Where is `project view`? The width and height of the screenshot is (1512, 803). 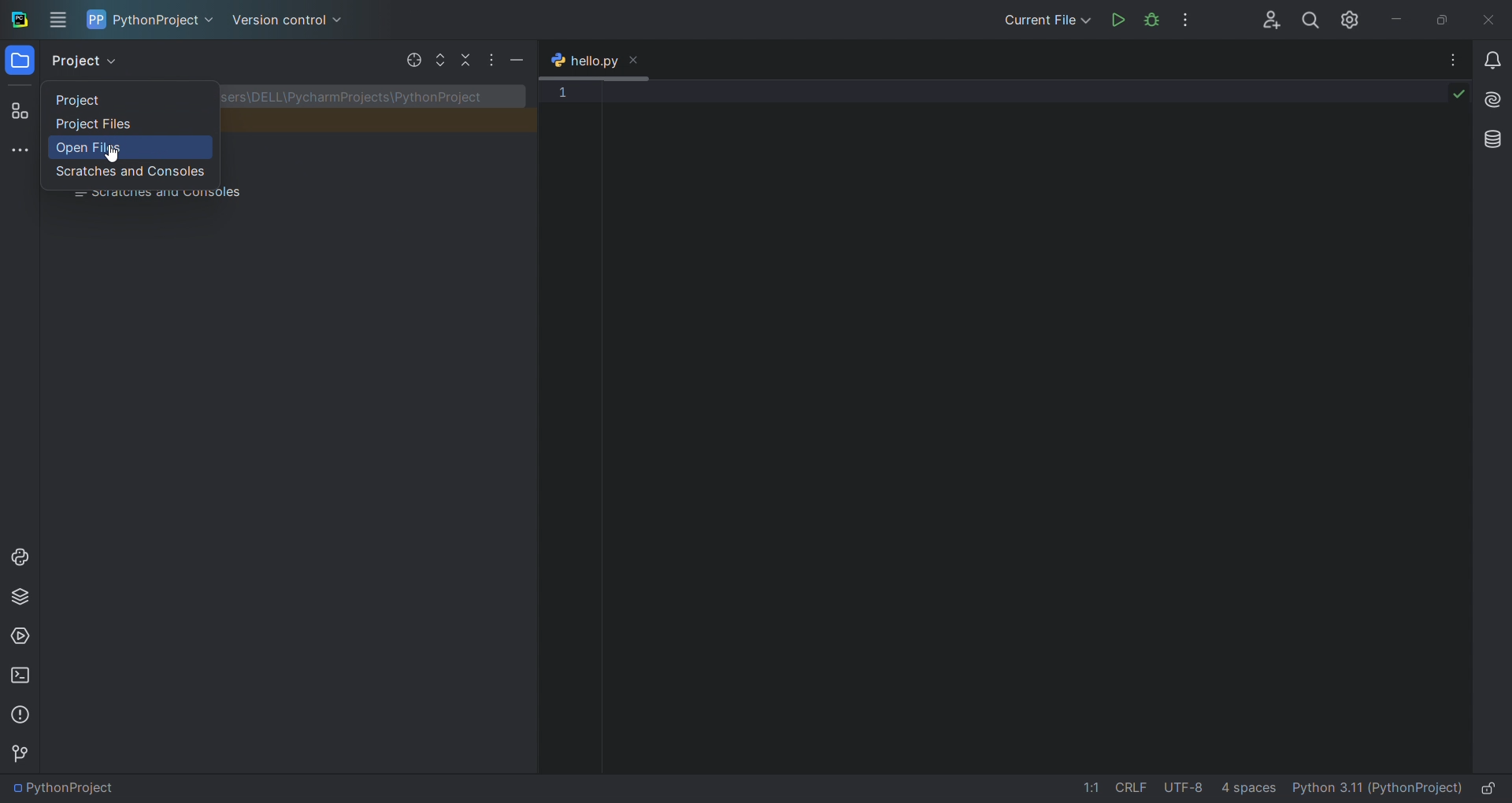 project view is located at coordinates (94, 60).